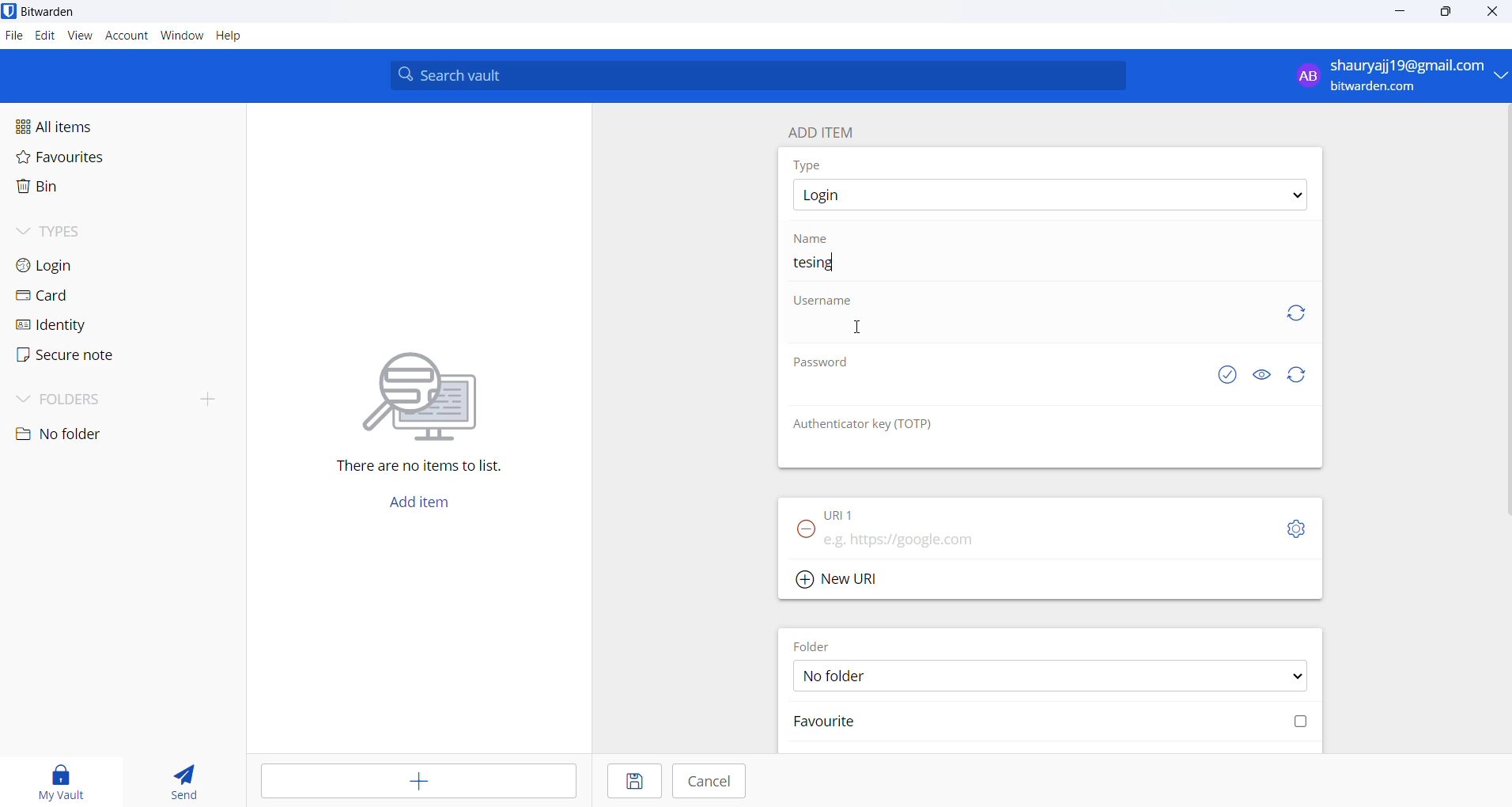 The width and height of the screenshot is (1512, 807). I want to click on Save, so click(631, 782).